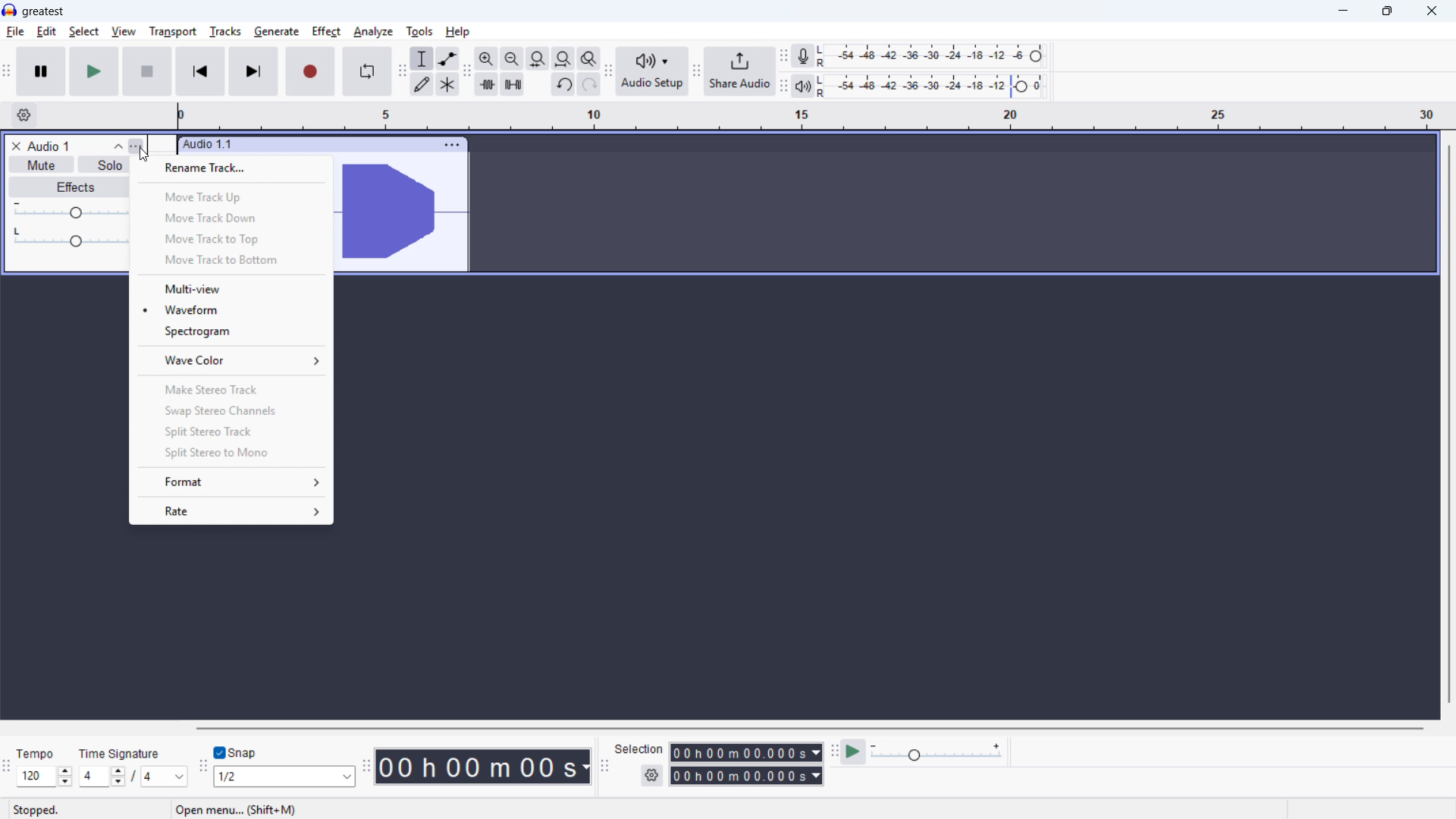 The height and width of the screenshot is (819, 1456). I want to click on record , so click(310, 71).